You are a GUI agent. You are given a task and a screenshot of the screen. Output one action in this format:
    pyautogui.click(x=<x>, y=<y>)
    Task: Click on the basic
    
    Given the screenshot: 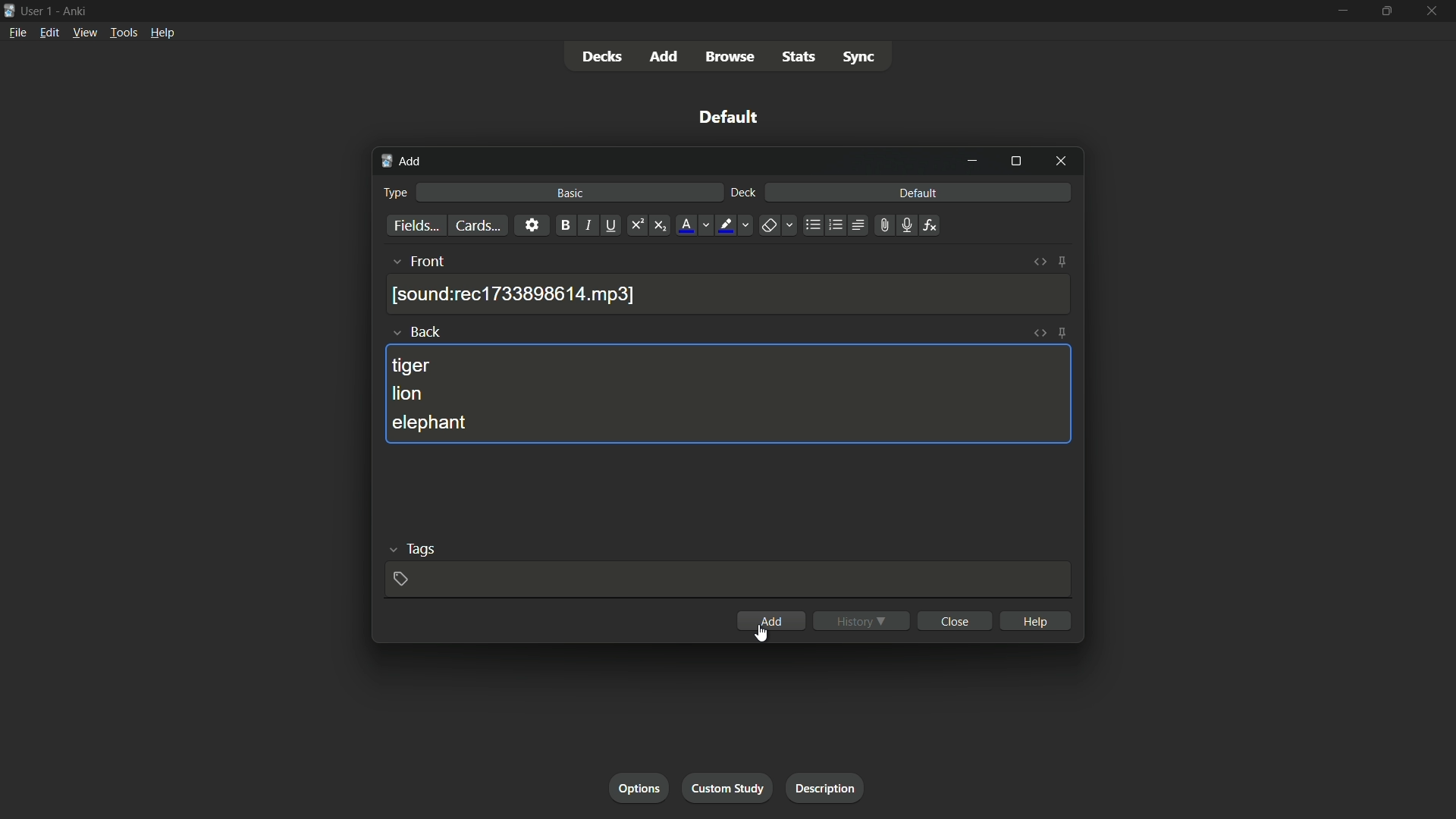 What is the action you would take?
    pyautogui.click(x=570, y=193)
    